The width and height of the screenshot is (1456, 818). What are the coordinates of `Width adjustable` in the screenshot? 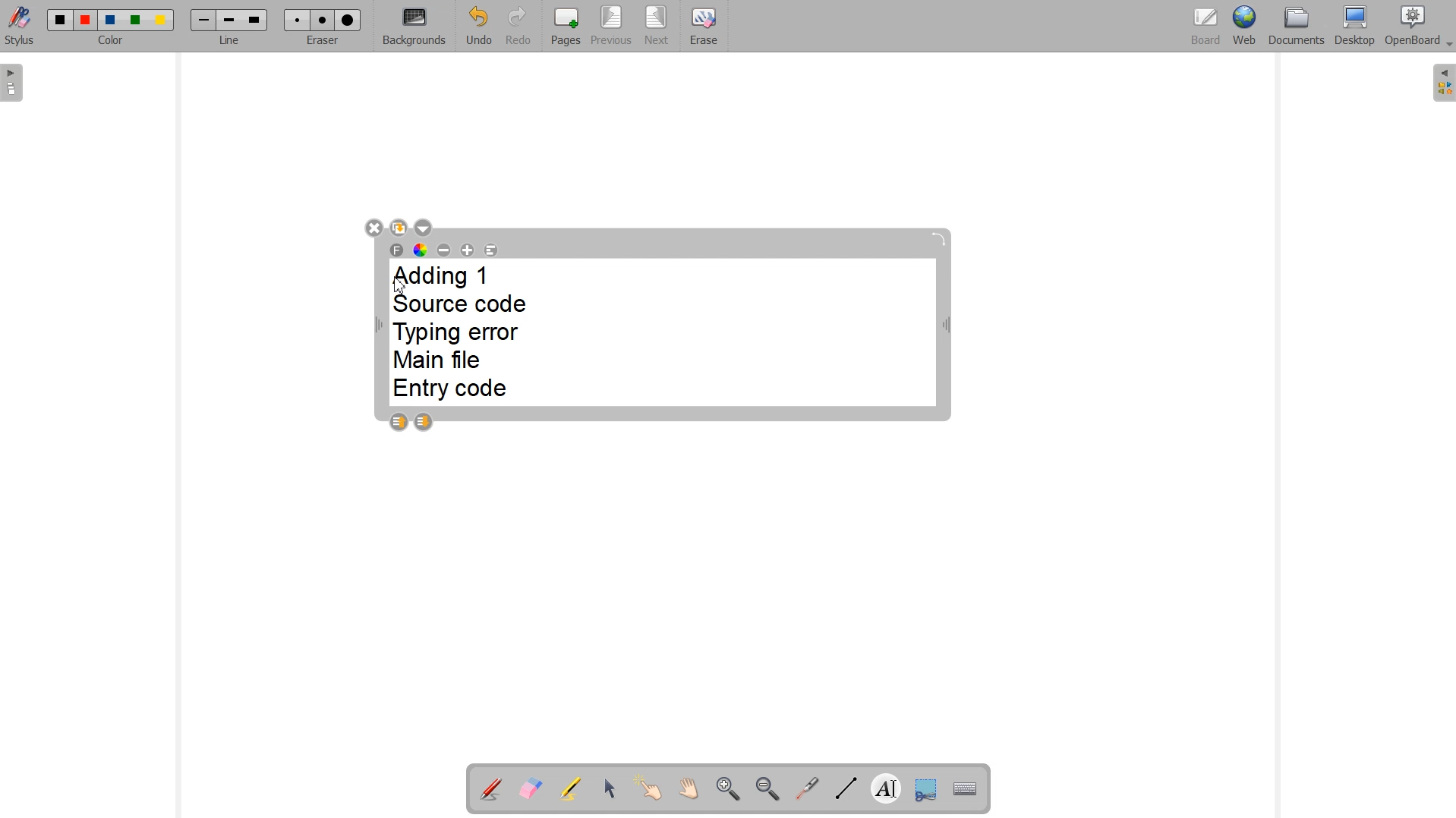 It's located at (947, 328).